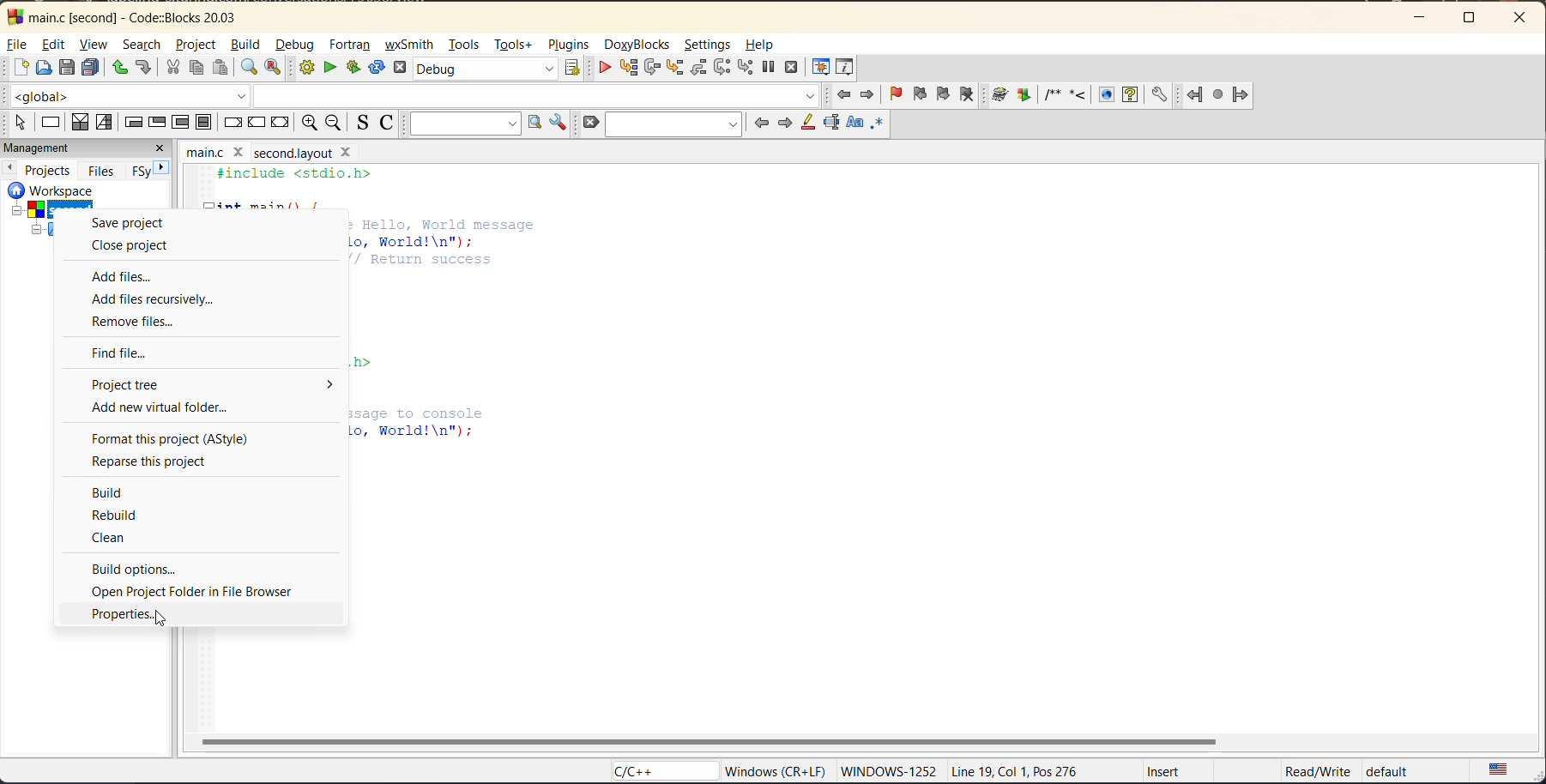  Describe the element at coordinates (675, 122) in the screenshot. I see `search` at that location.